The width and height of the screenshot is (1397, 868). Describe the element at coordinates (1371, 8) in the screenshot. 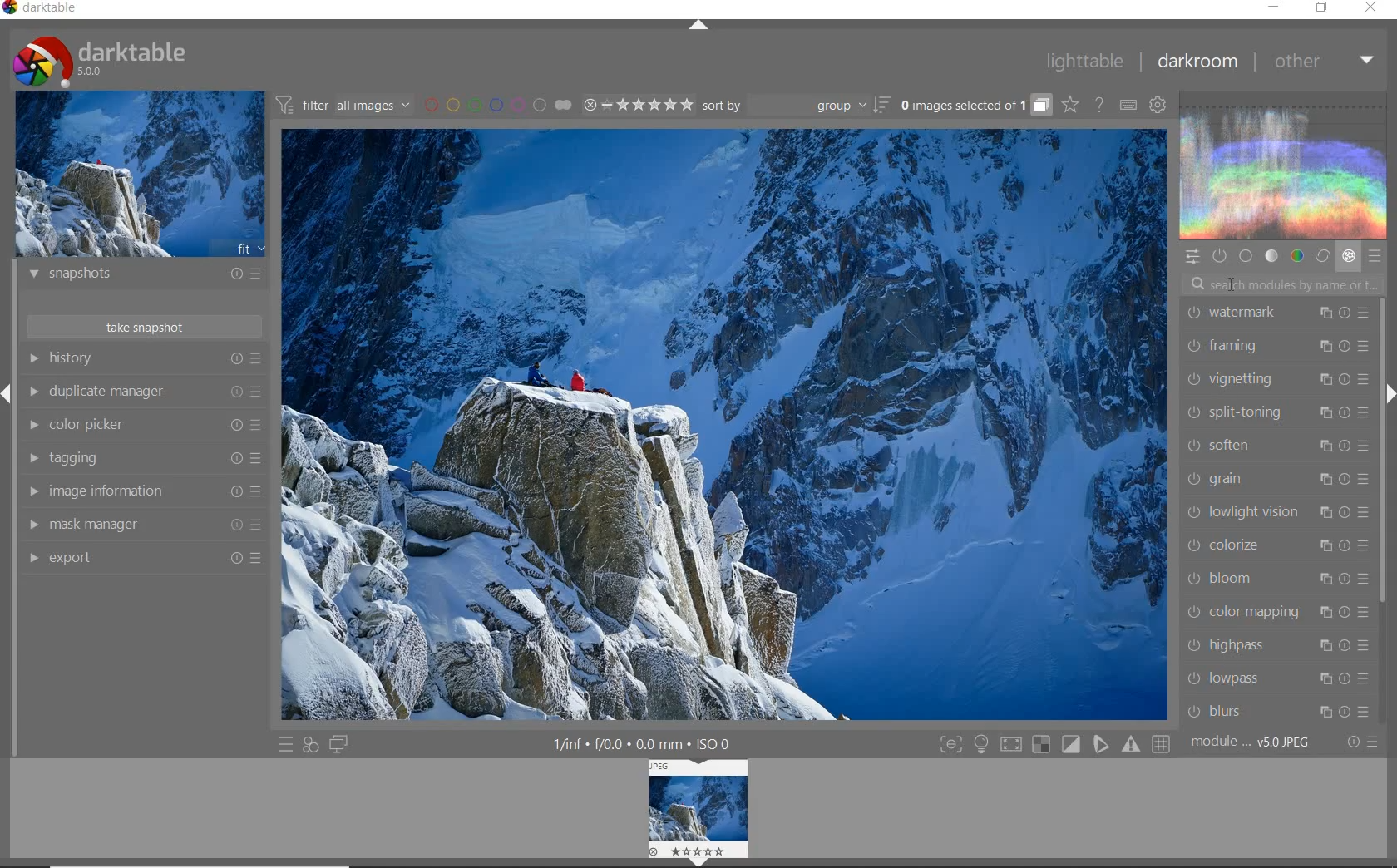

I see `close` at that location.